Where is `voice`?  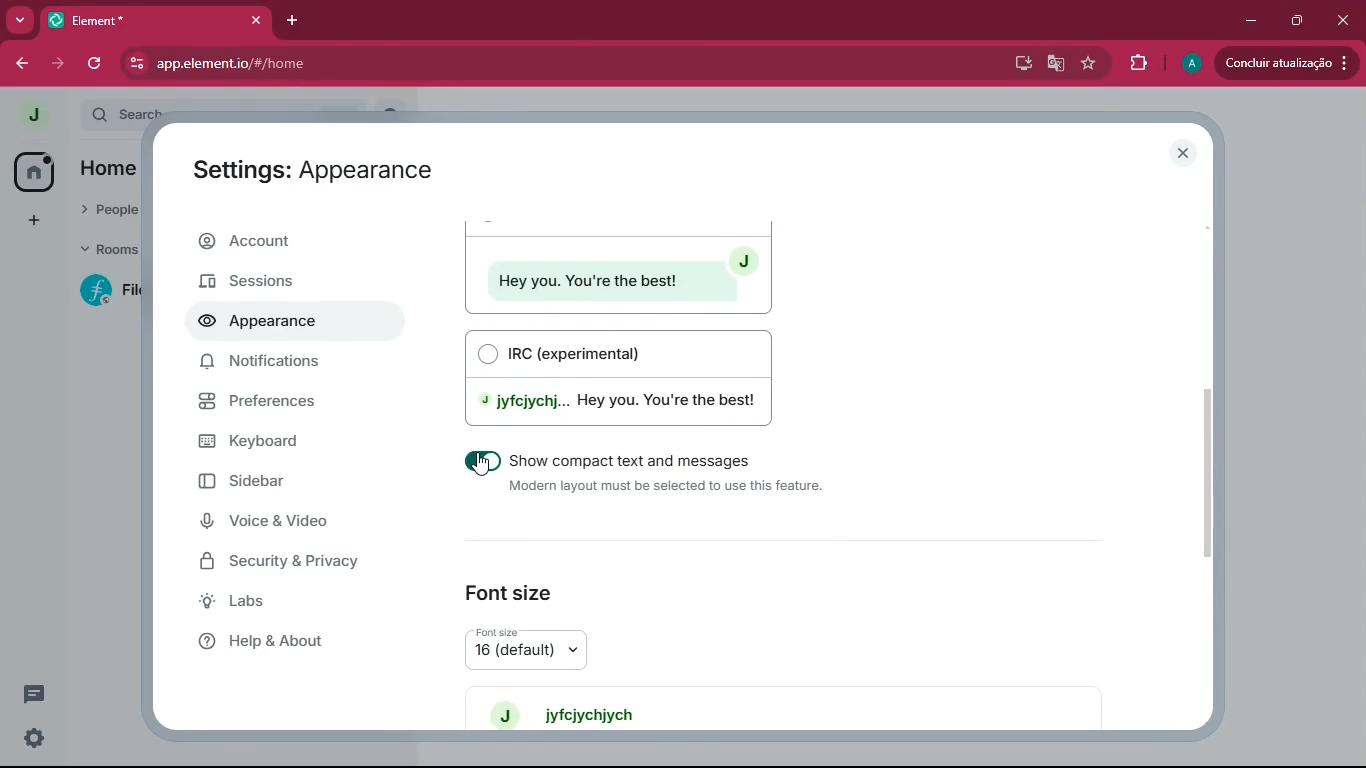 voice is located at coordinates (286, 524).